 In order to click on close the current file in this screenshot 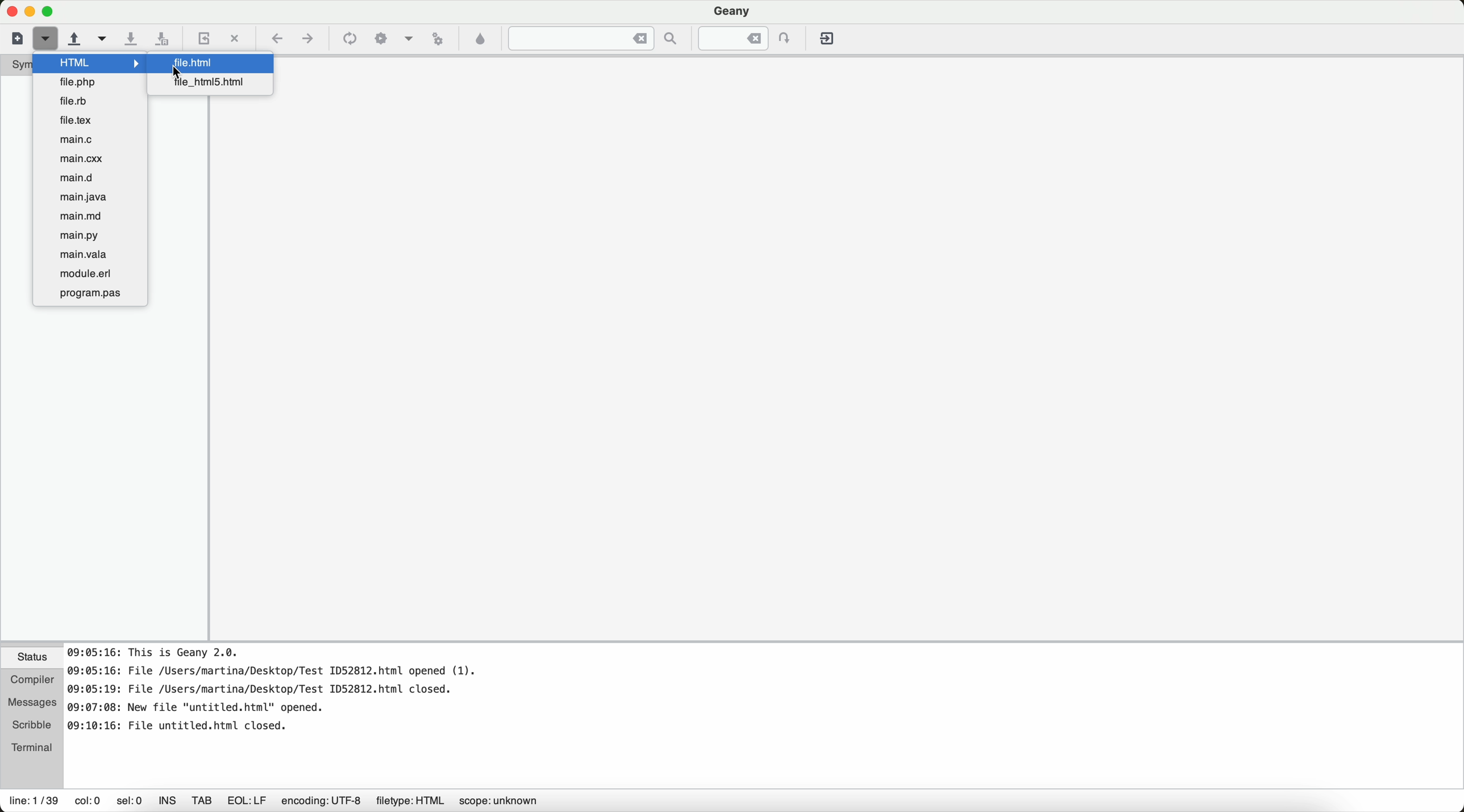, I will do `click(232, 39)`.